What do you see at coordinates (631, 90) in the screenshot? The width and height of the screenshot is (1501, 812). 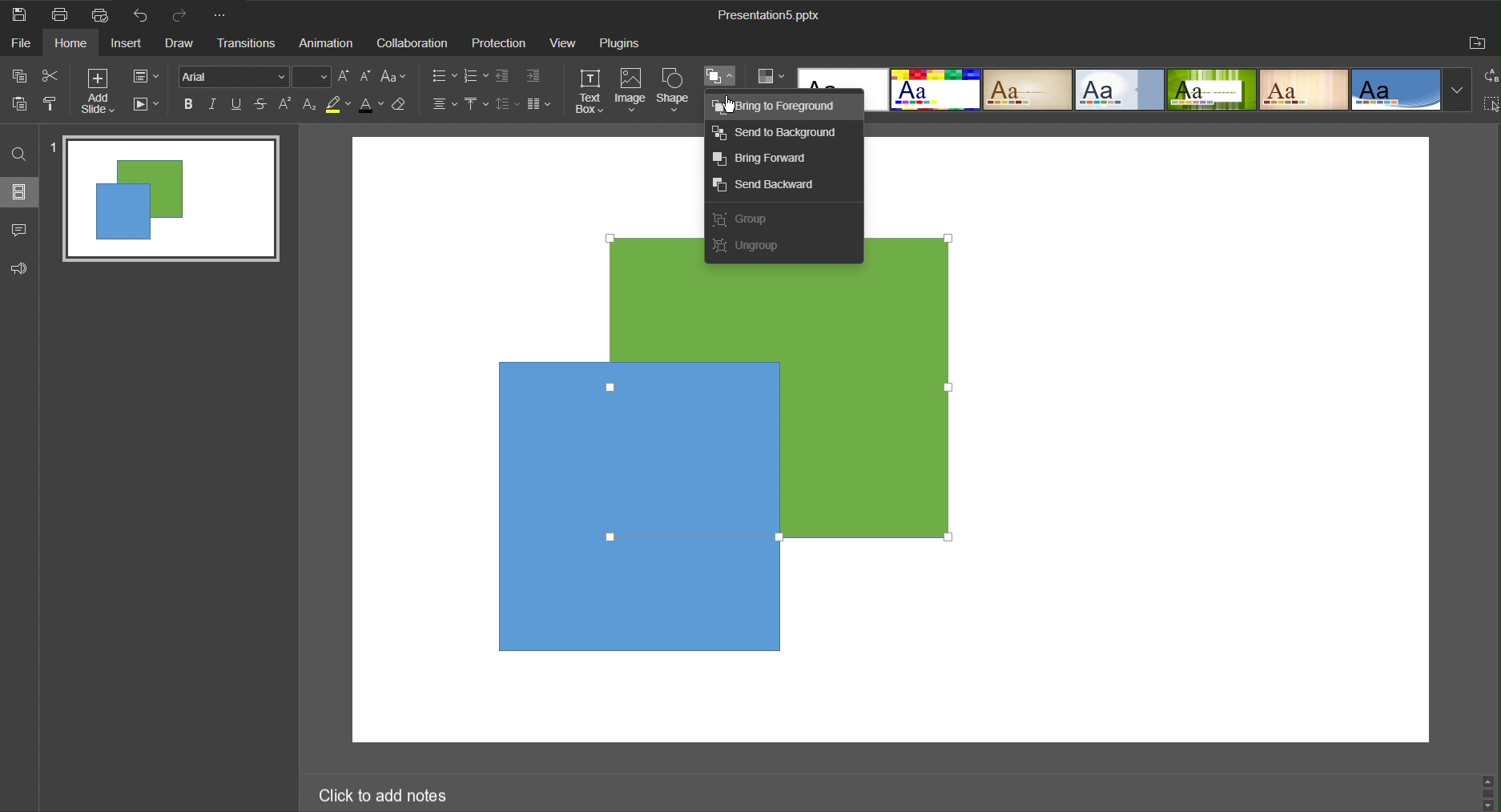 I see `Image` at bounding box center [631, 90].